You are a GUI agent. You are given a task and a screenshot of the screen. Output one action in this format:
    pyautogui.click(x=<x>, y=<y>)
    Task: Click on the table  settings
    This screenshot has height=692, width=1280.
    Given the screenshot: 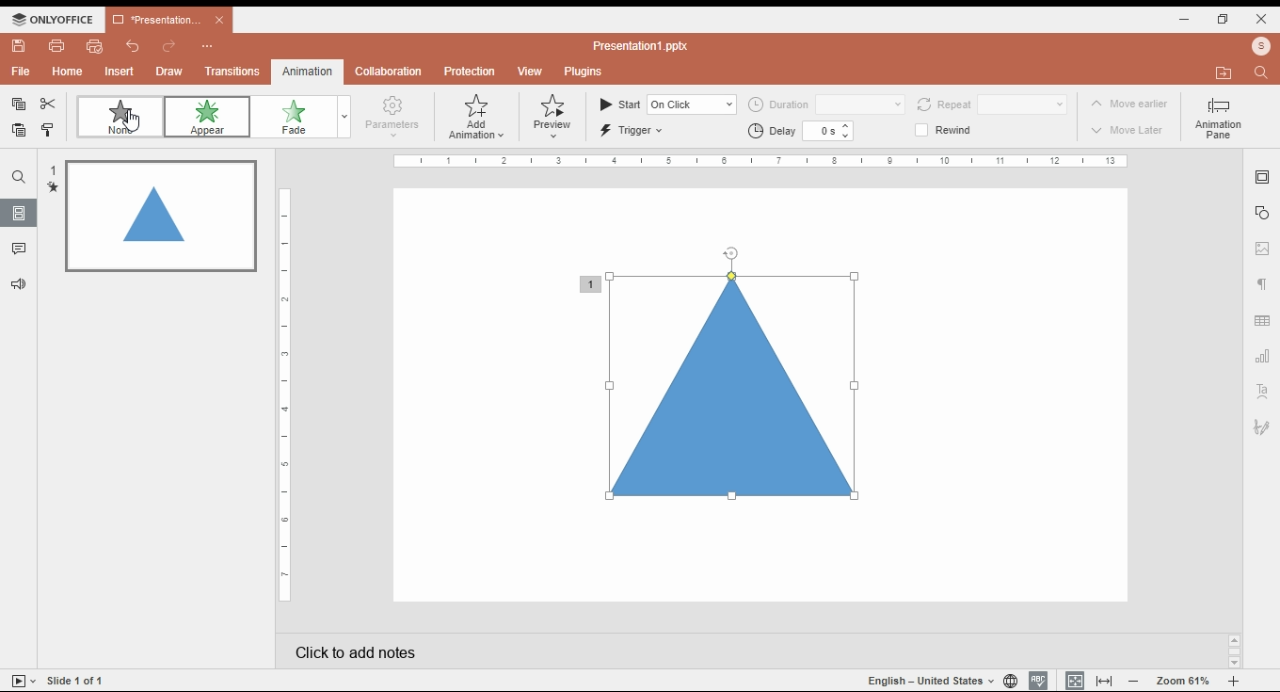 What is the action you would take?
    pyautogui.click(x=1263, y=320)
    